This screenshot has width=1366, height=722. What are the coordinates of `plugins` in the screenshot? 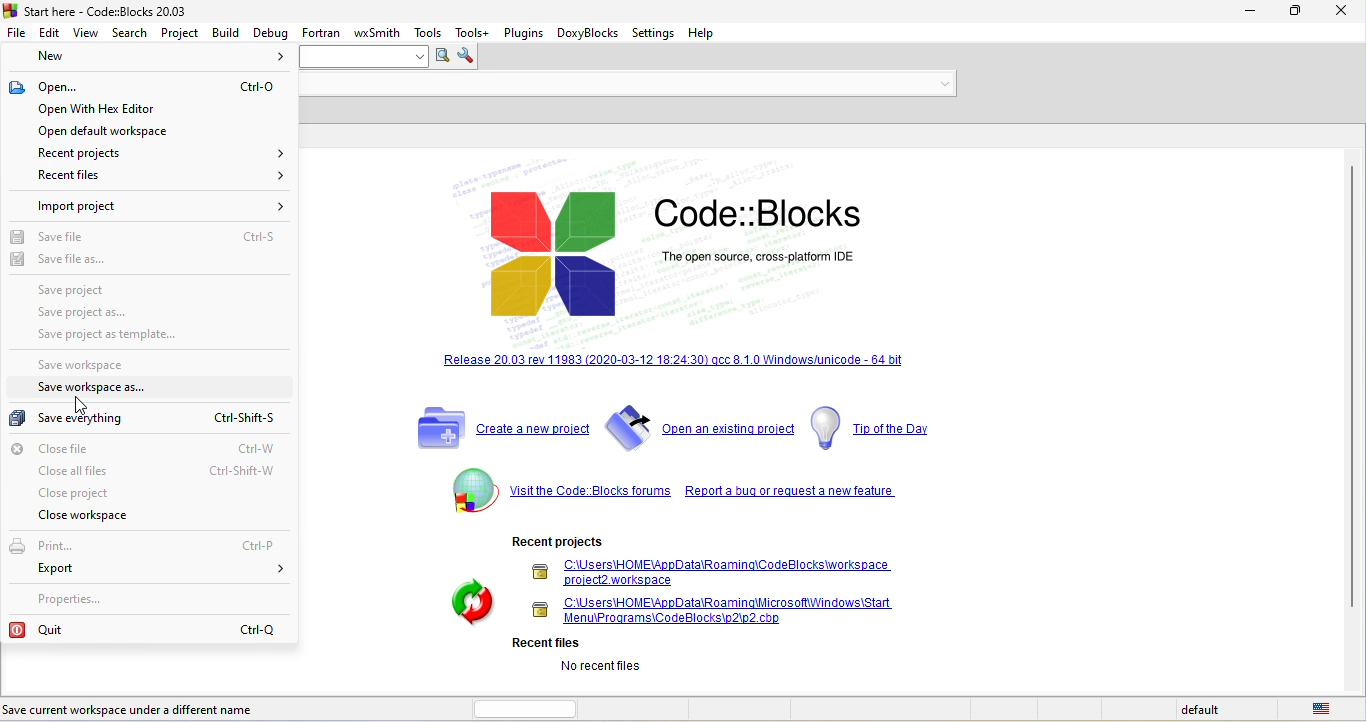 It's located at (523, 31).